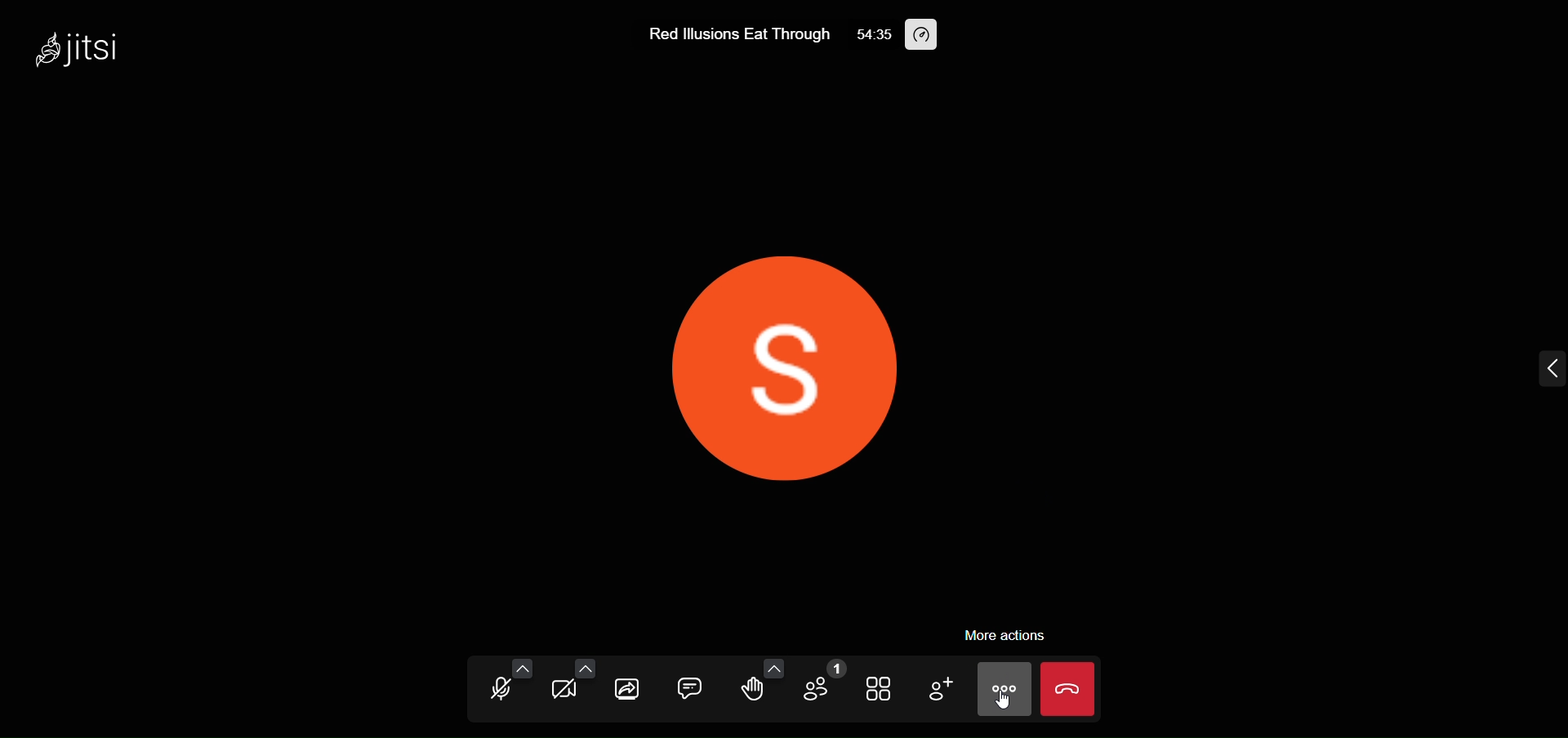 The image size is (1568, 738). I want to click on 54:35, so click(871, 35).